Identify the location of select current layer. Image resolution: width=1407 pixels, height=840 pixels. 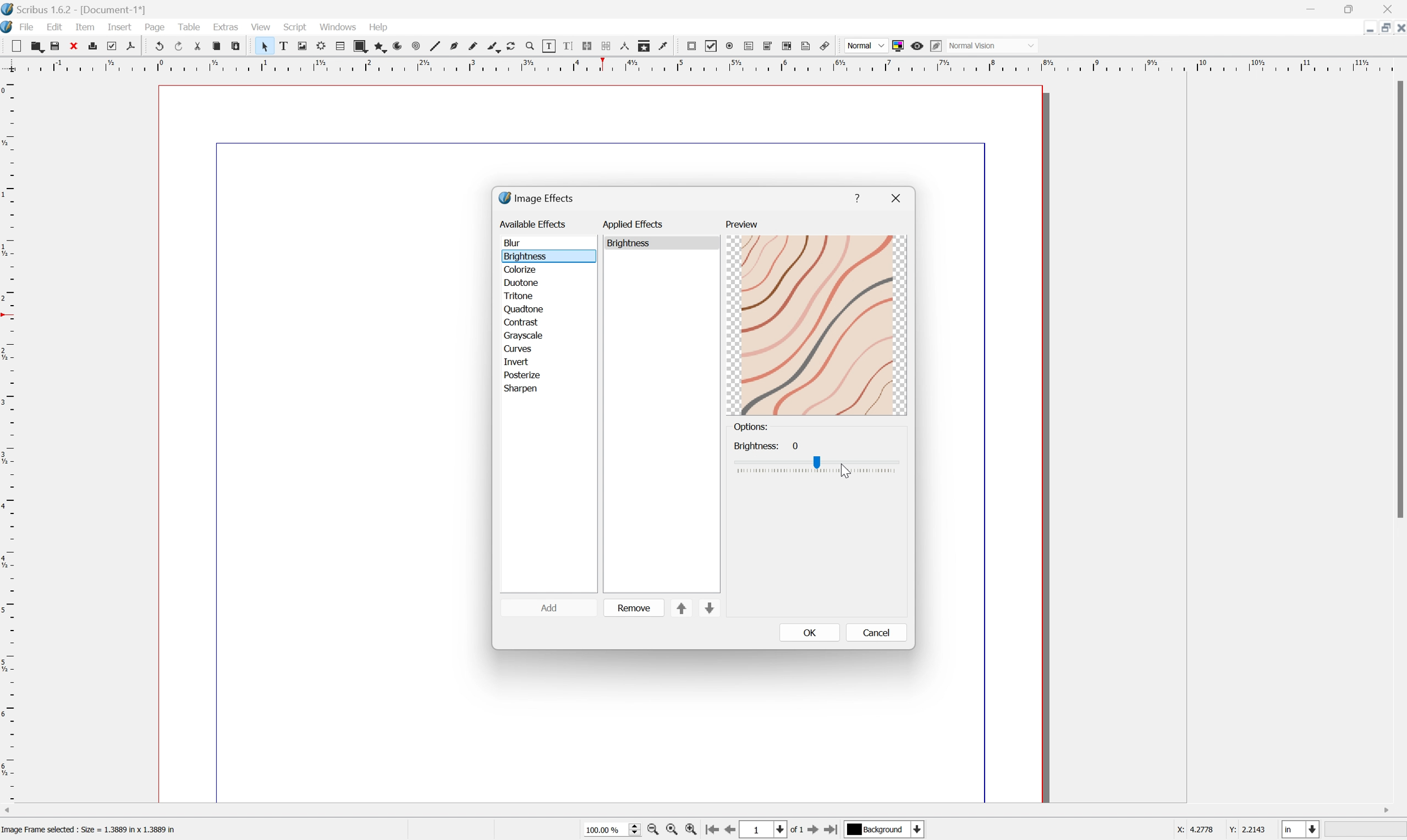
(887, 830).